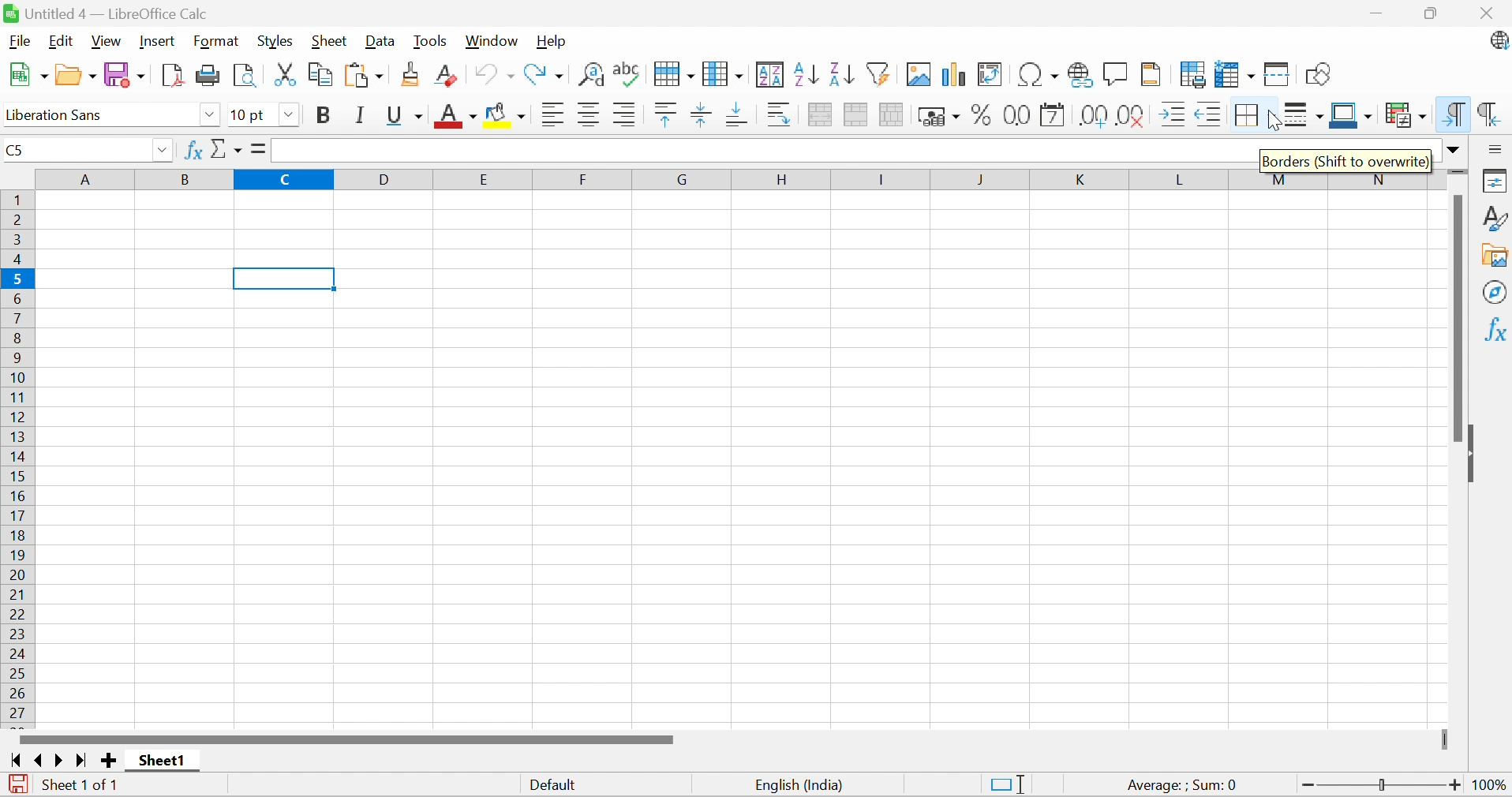 The image size is (1512, 797). What do you see at coordinates (322, 115) in the screenshot?
I see `Bold` at bounding box center [322, 115].